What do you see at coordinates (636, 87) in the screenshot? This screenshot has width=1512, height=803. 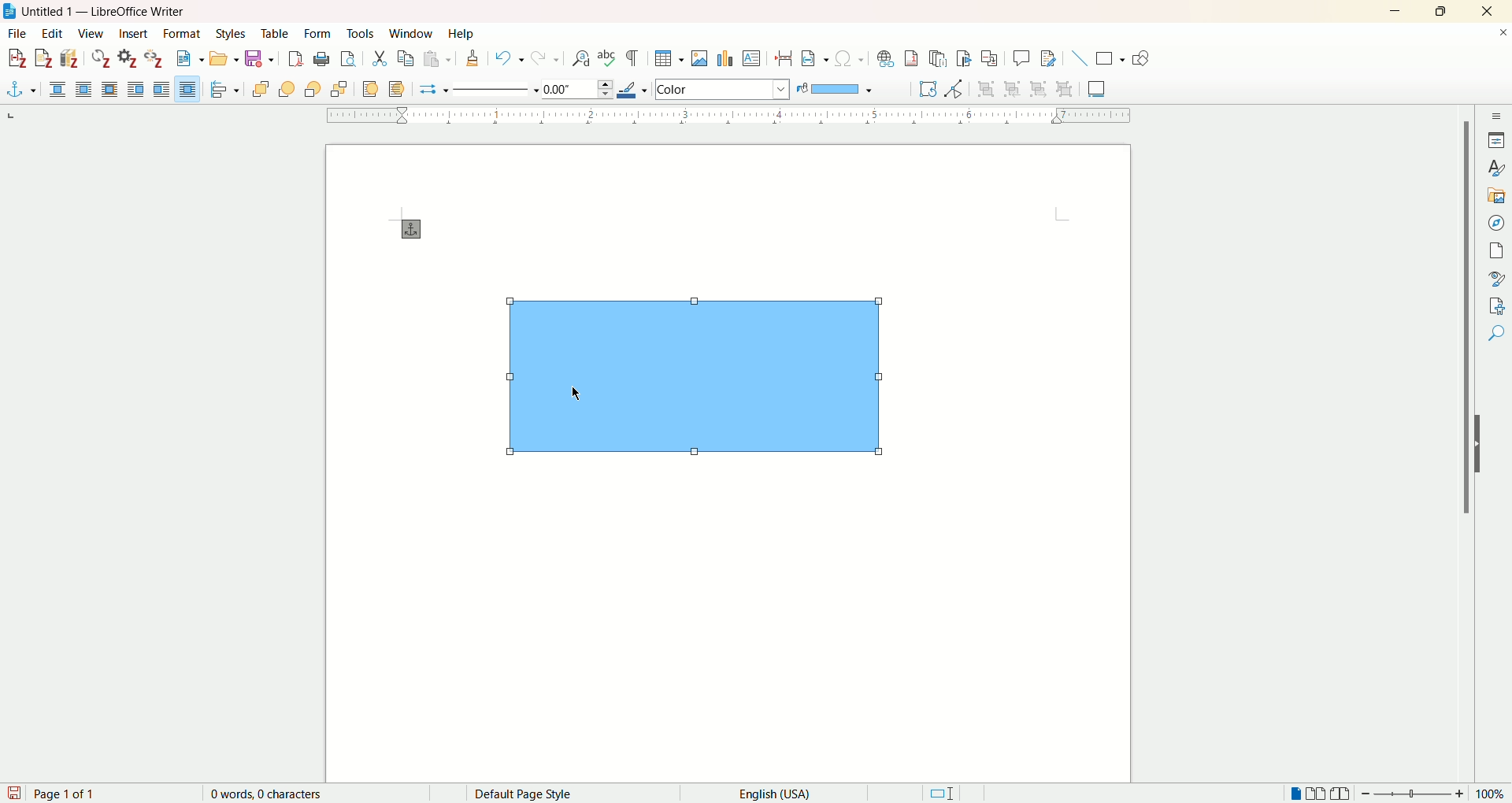 I see `line color` at bounding box center [636, 87].